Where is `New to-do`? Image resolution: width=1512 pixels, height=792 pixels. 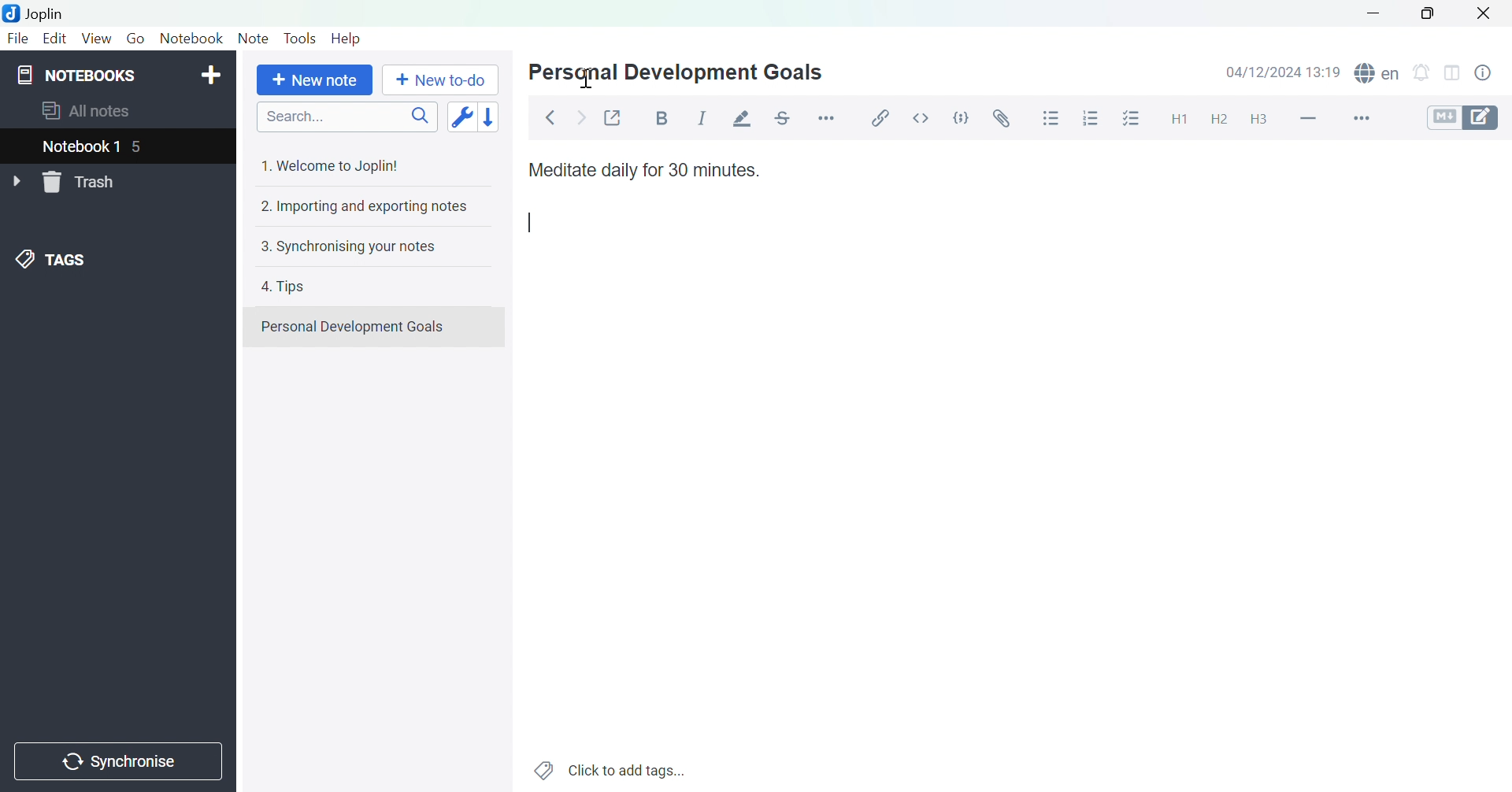
New to-do is located at coordinates (440, 80).